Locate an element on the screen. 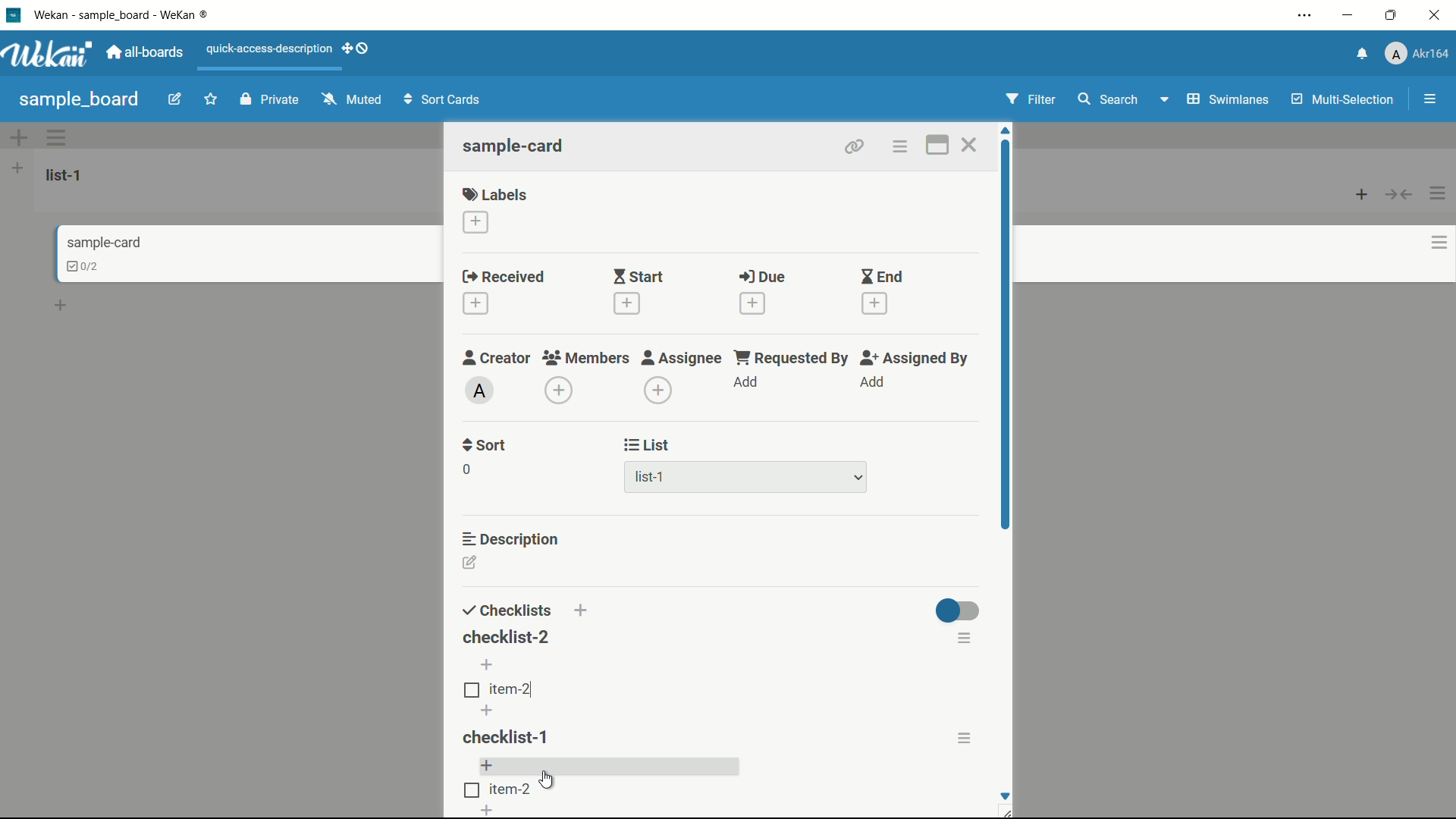 This screenshot has width=1456, height=819. add date is located at coordinates (875, 304).